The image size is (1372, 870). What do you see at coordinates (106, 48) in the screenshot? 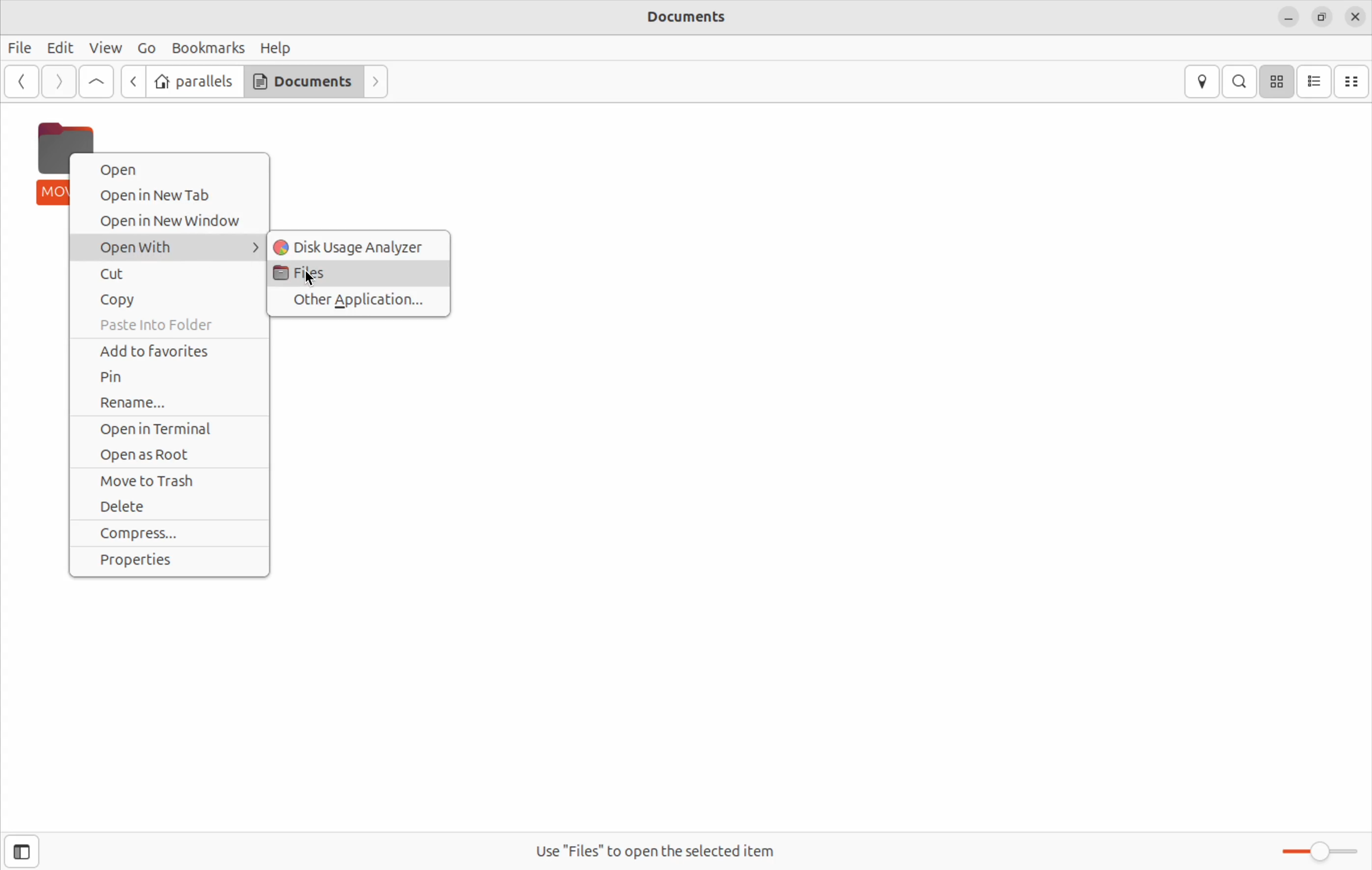
I see `View` at bounding box center [106, 48].